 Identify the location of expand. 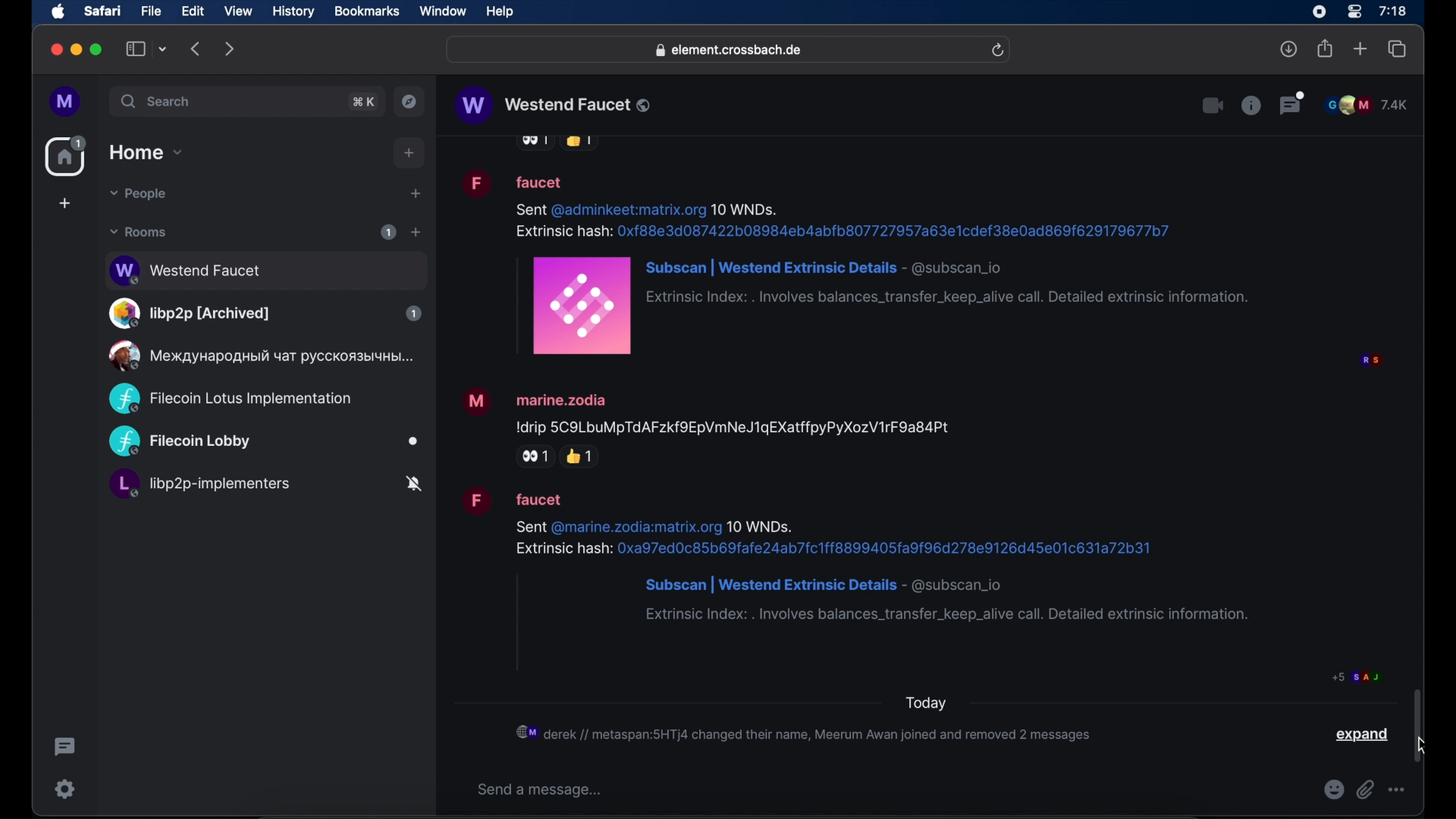
(1364, 735).